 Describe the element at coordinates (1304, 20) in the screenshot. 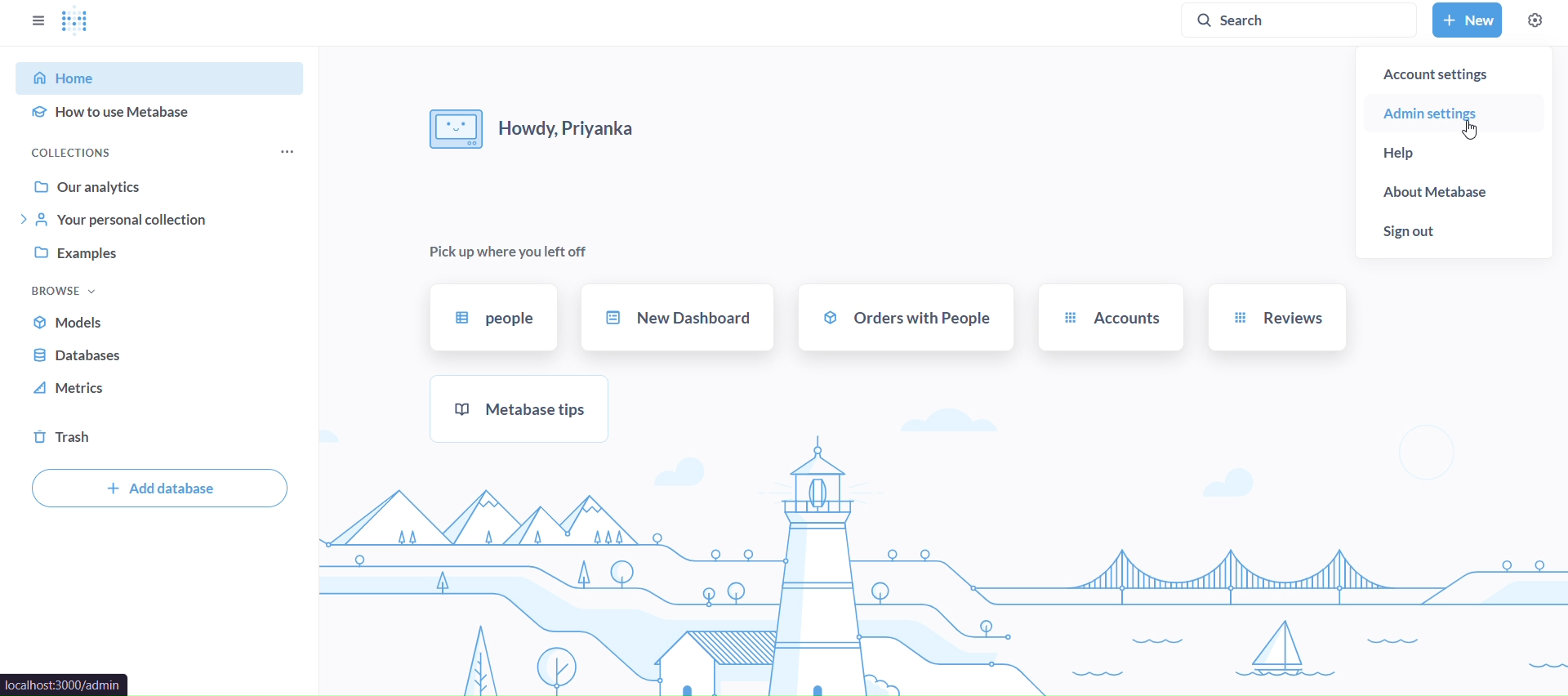

I see `search` at that location.